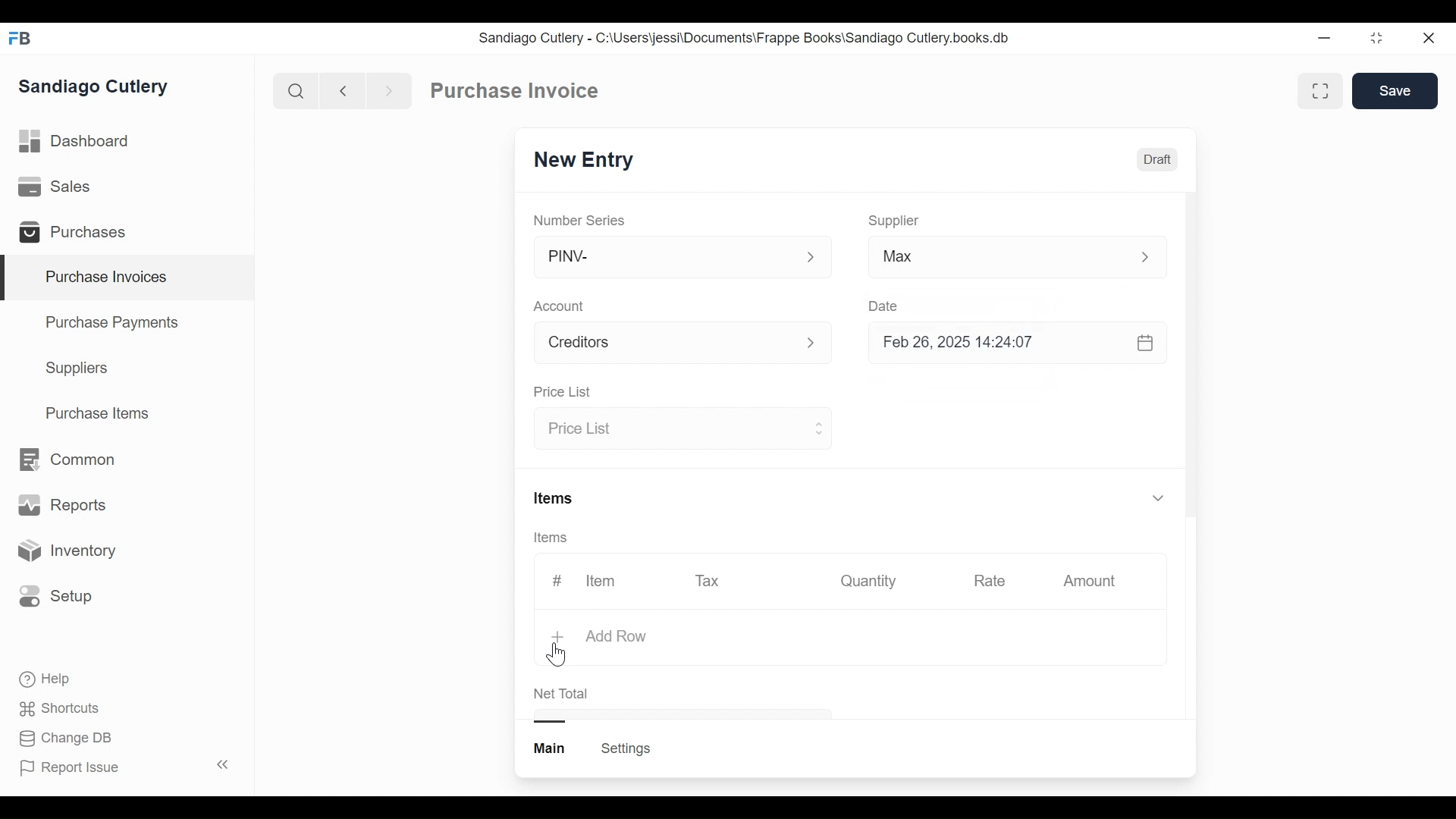 The height and width of the screenshot is (819, 1456). I want to click on Sandiago Cutlery, so click(96, 88).